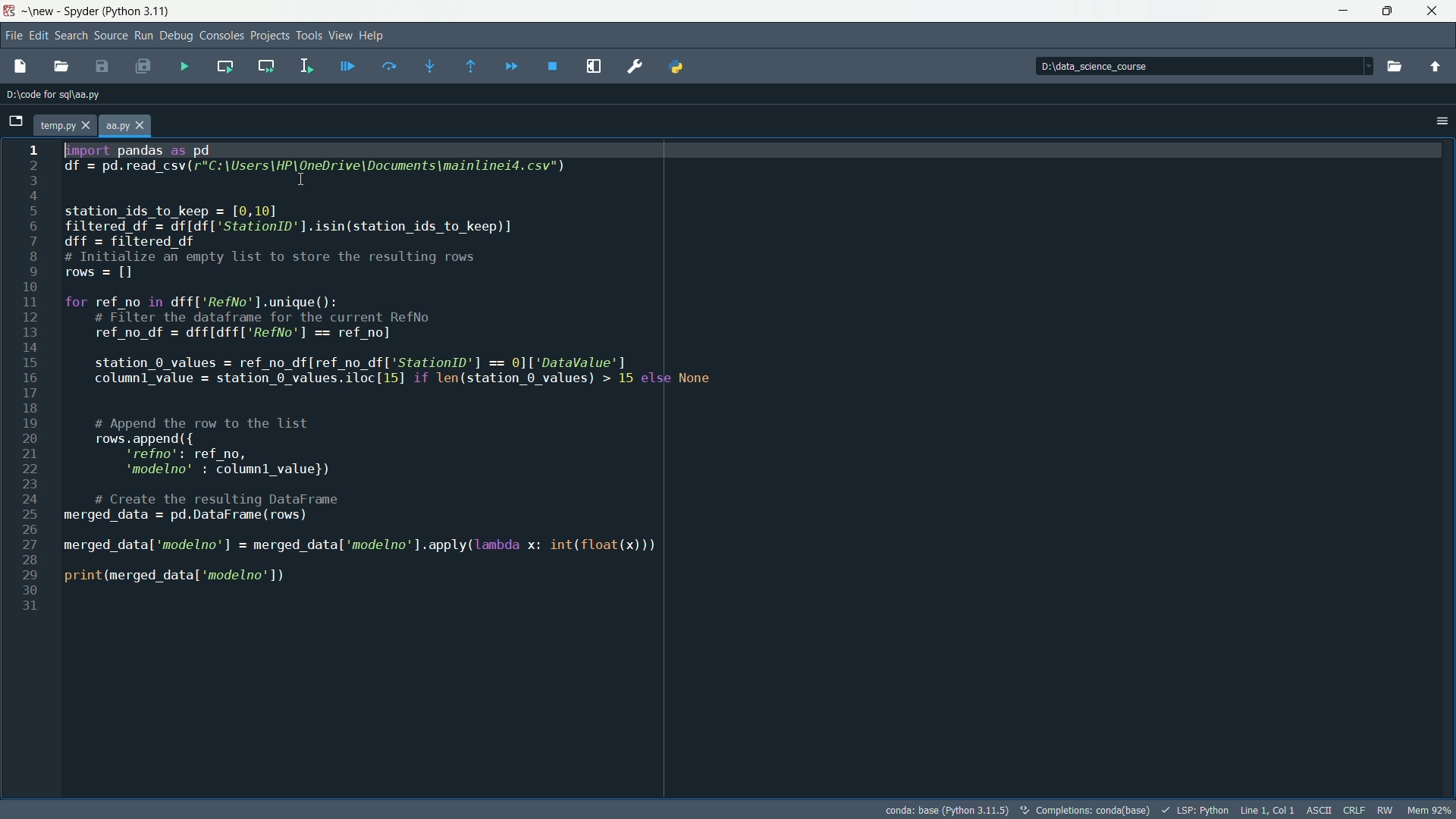 The image size is (1456, 819). I want to click on browse tab, so click(15, 121).